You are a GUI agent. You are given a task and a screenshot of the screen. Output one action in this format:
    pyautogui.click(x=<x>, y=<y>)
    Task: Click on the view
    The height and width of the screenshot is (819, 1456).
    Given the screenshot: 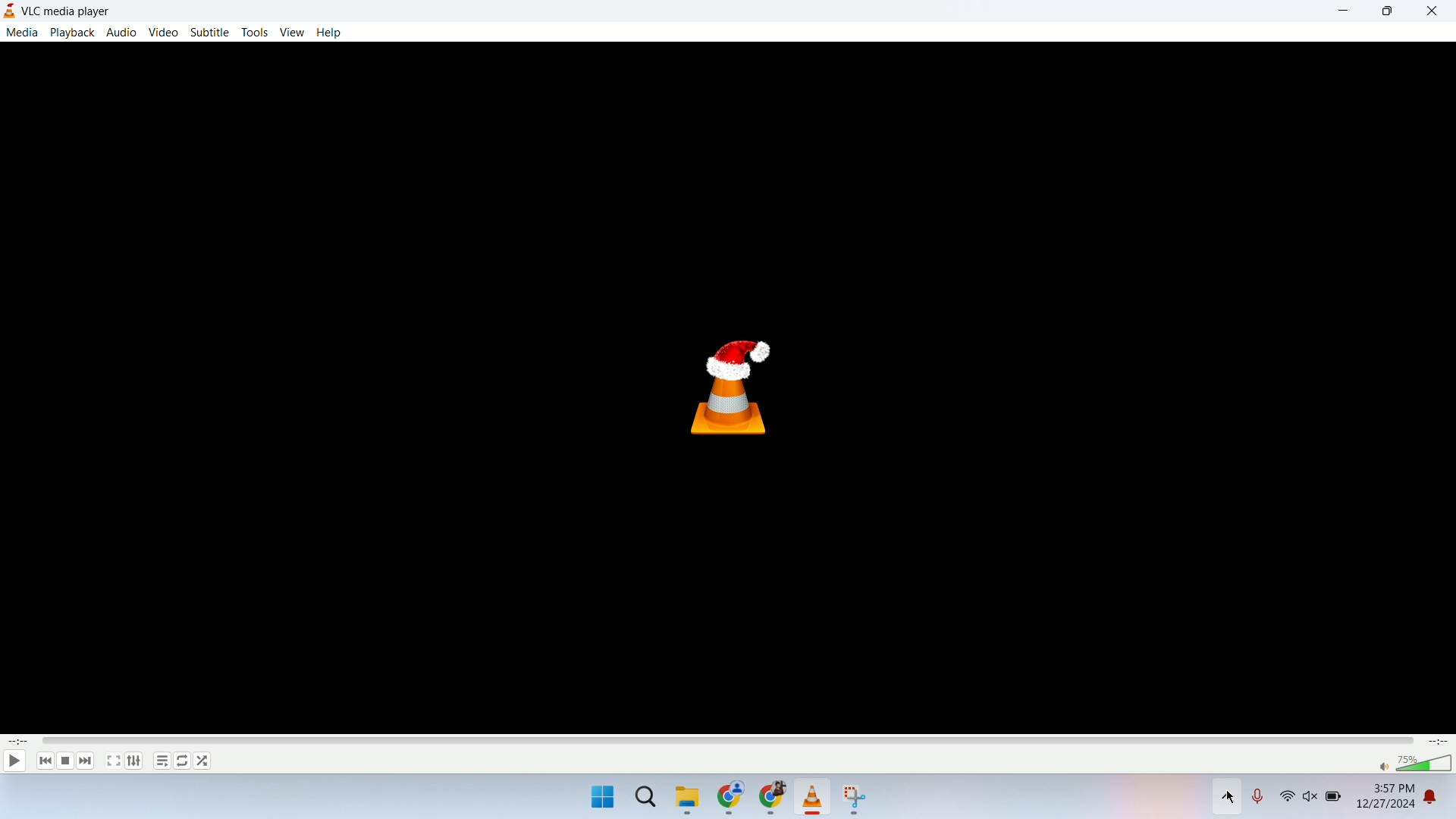 What is the action you would take?
    pyautogui.click(x=293, y=33)
    